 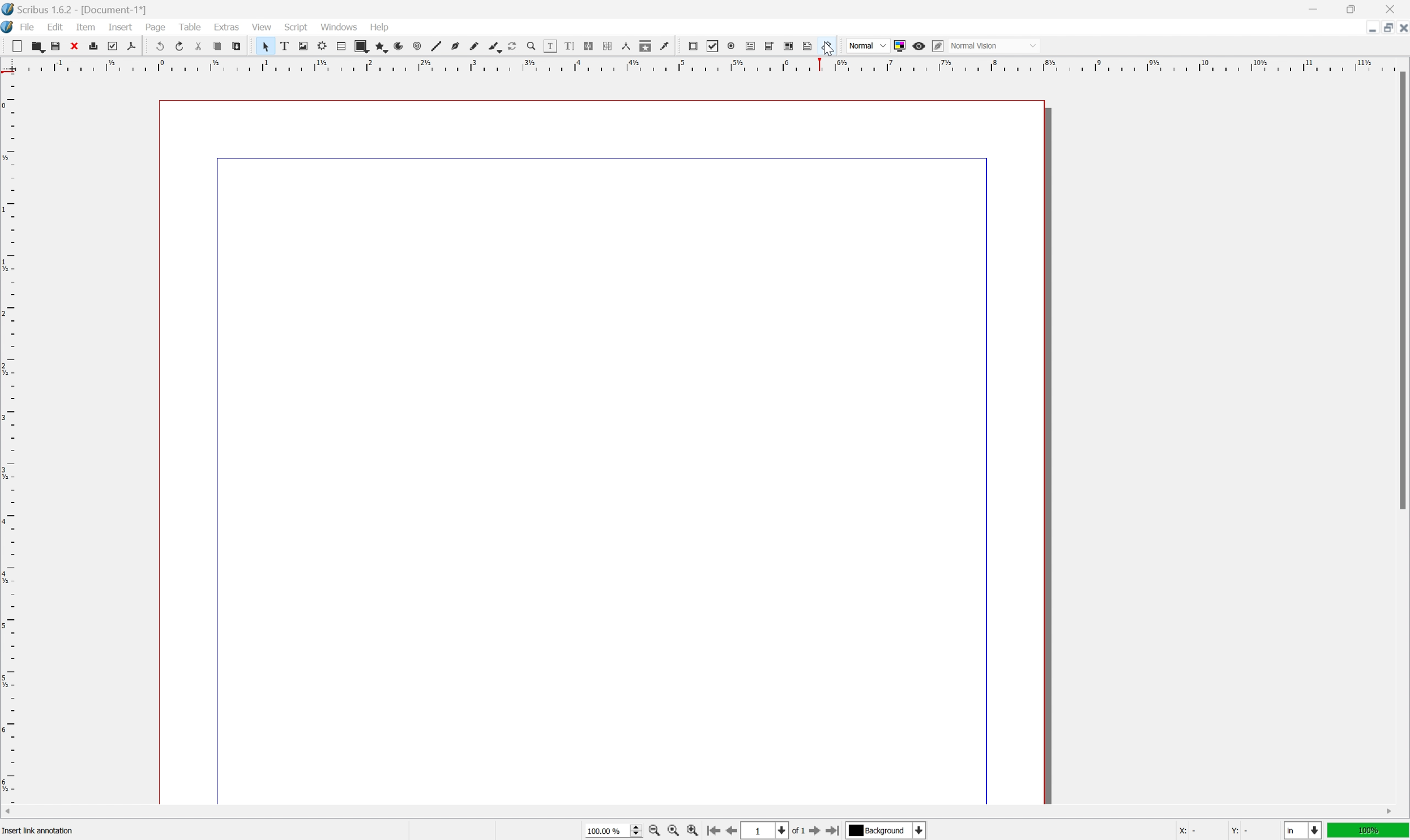 What do you see at coordinates (532, 46) in the screenshot?
I see `zoom in or zoom out` at bounding box center [532, 46].